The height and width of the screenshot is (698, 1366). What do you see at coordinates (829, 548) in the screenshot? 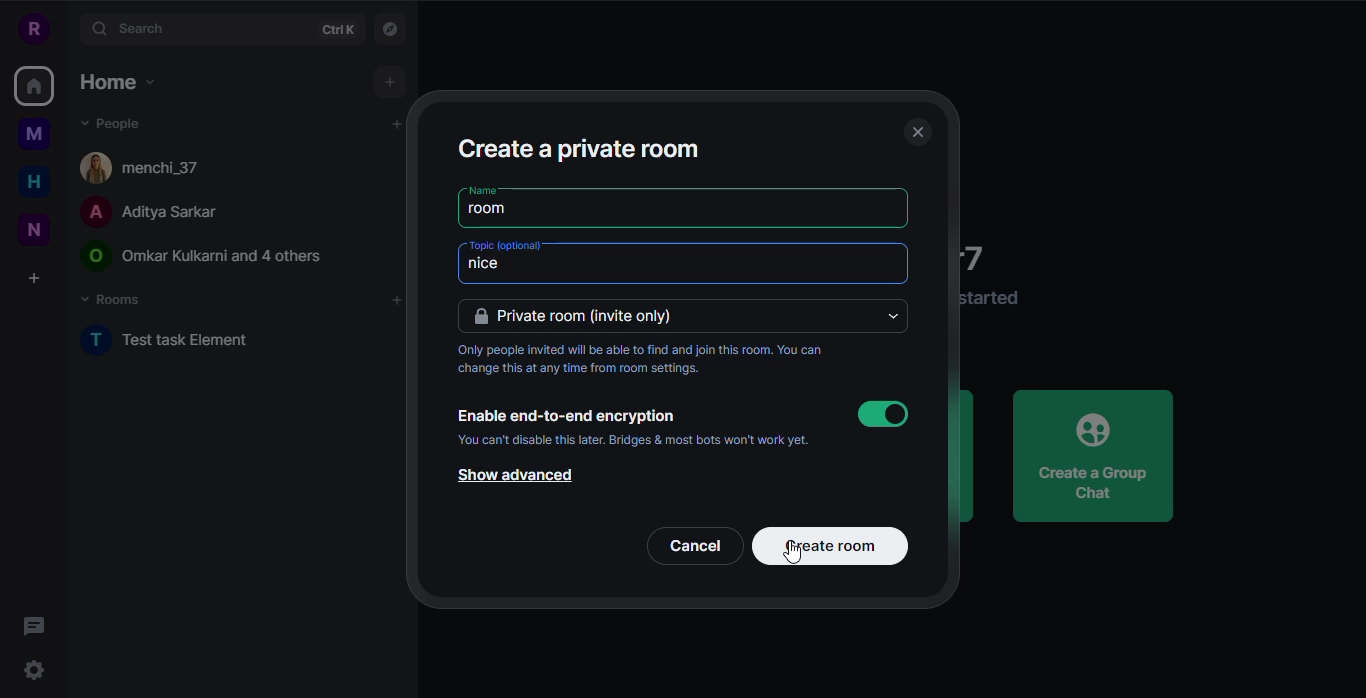
I see `Cursor on create room` at bounding box center [829, 548].